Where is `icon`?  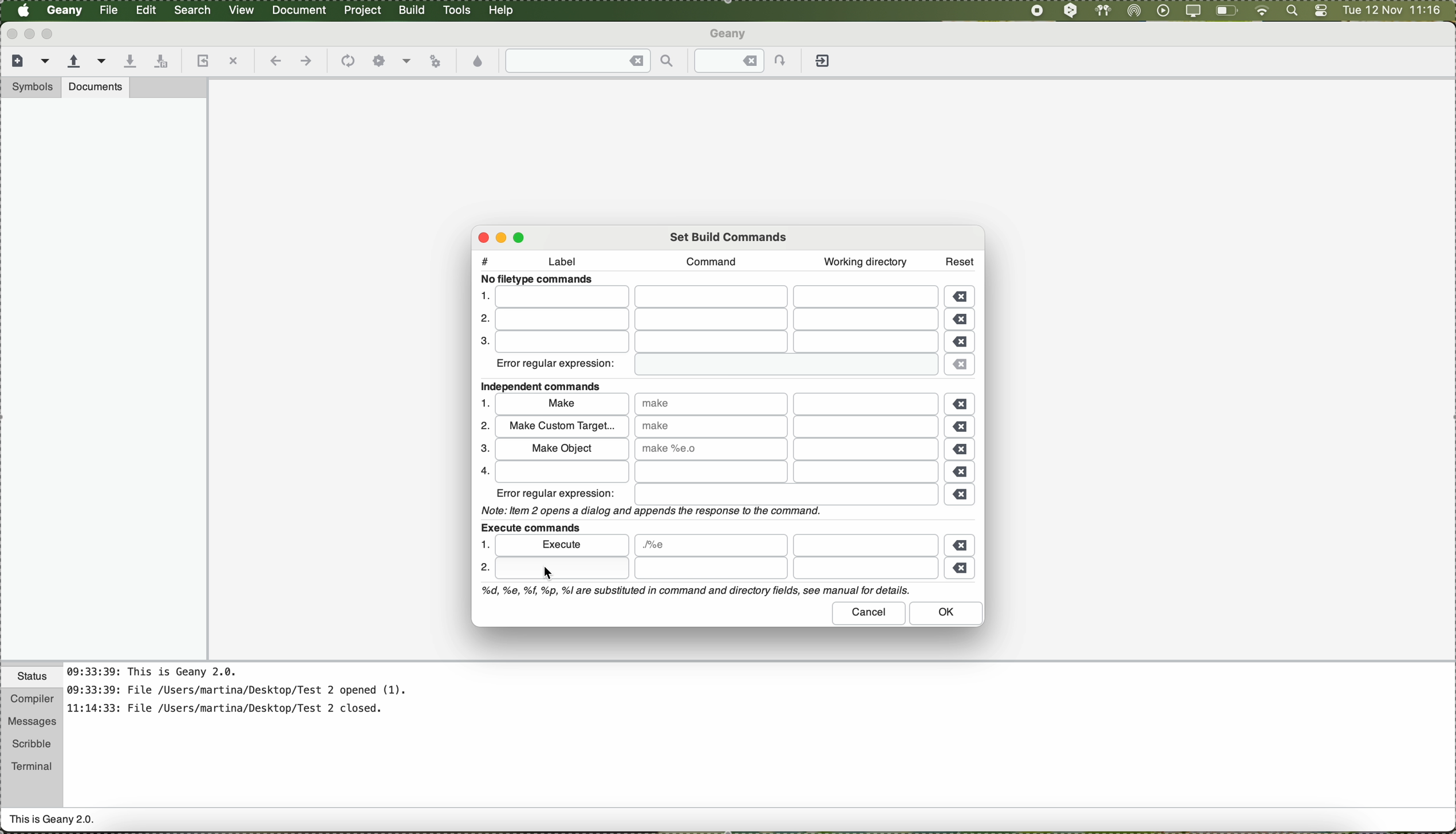 icon is located at coordinates (379, 61).